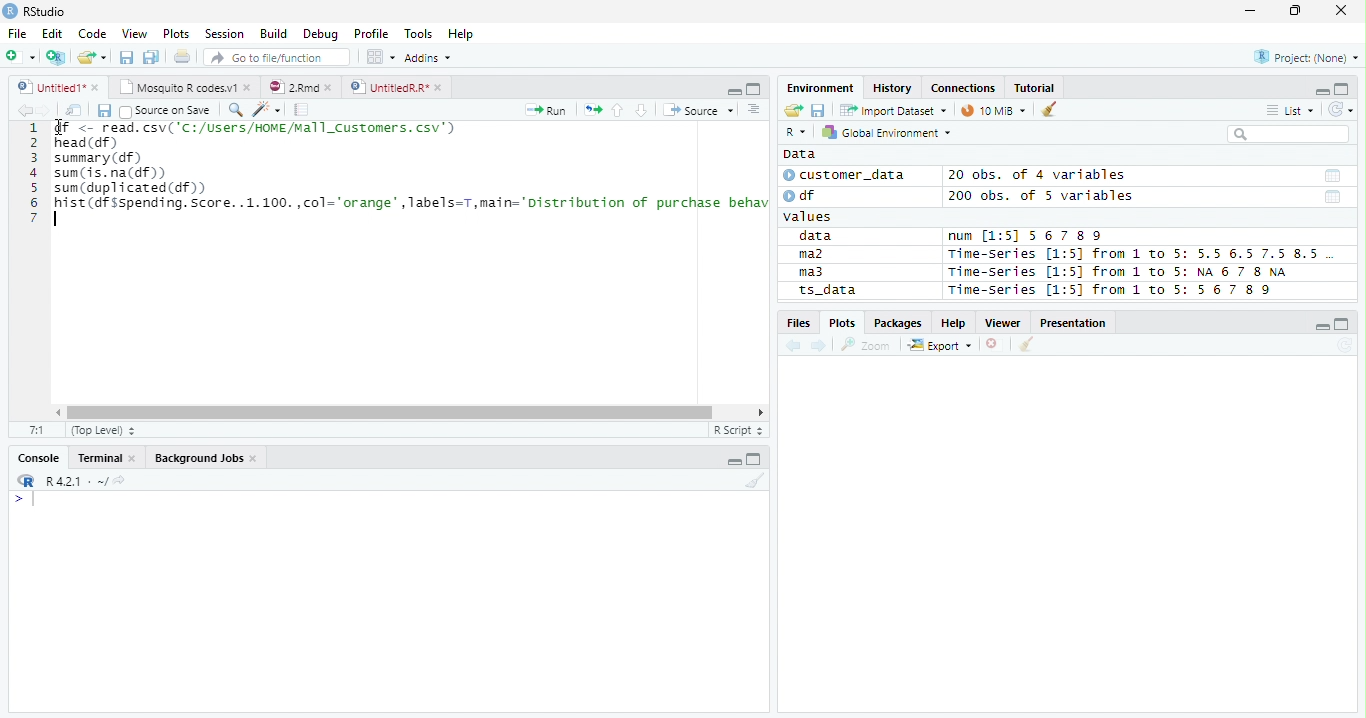  I want to click on 1:1, so click(37, 430).